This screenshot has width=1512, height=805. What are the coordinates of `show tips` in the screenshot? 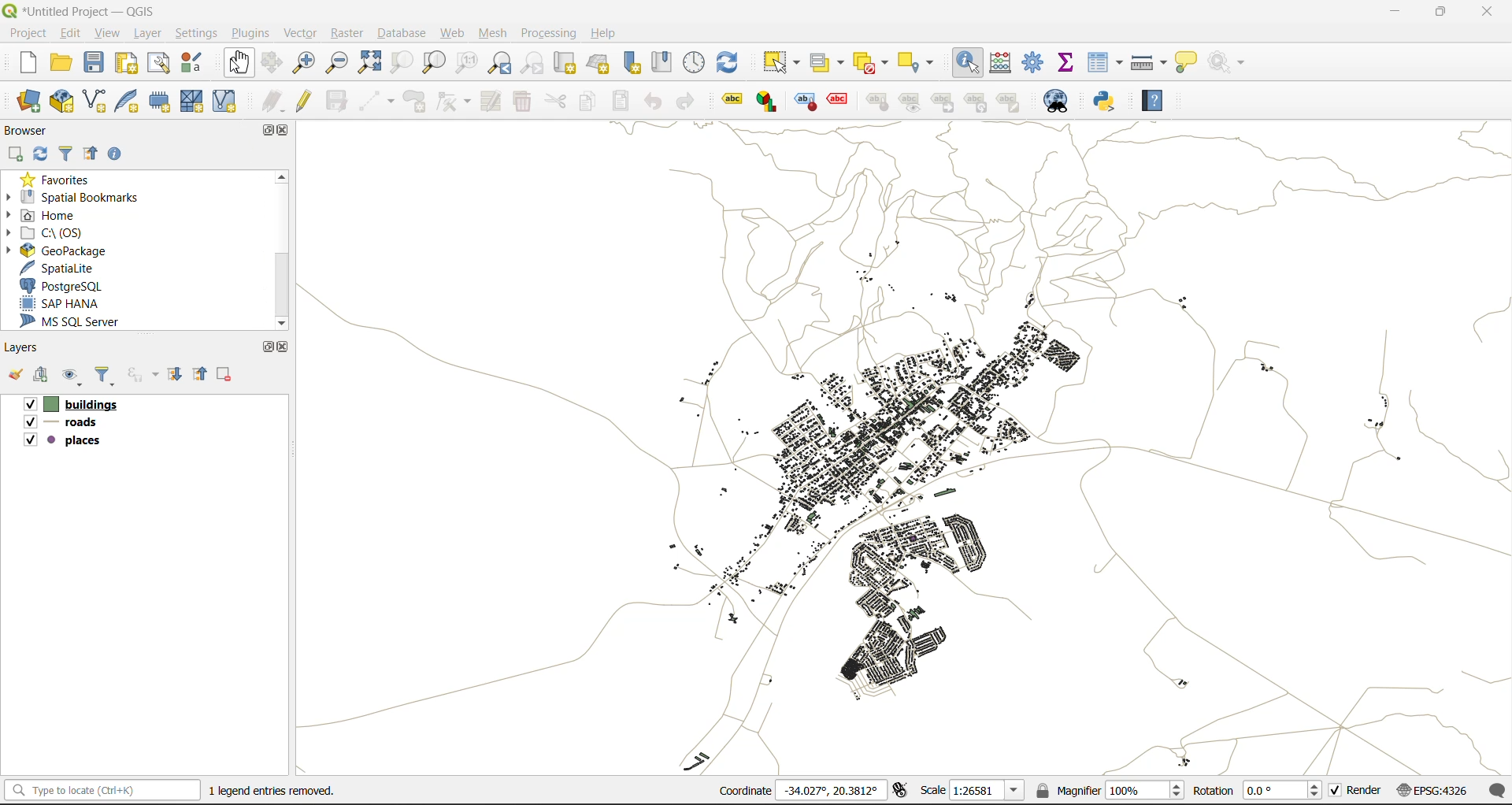 It's located at (1186, 63).